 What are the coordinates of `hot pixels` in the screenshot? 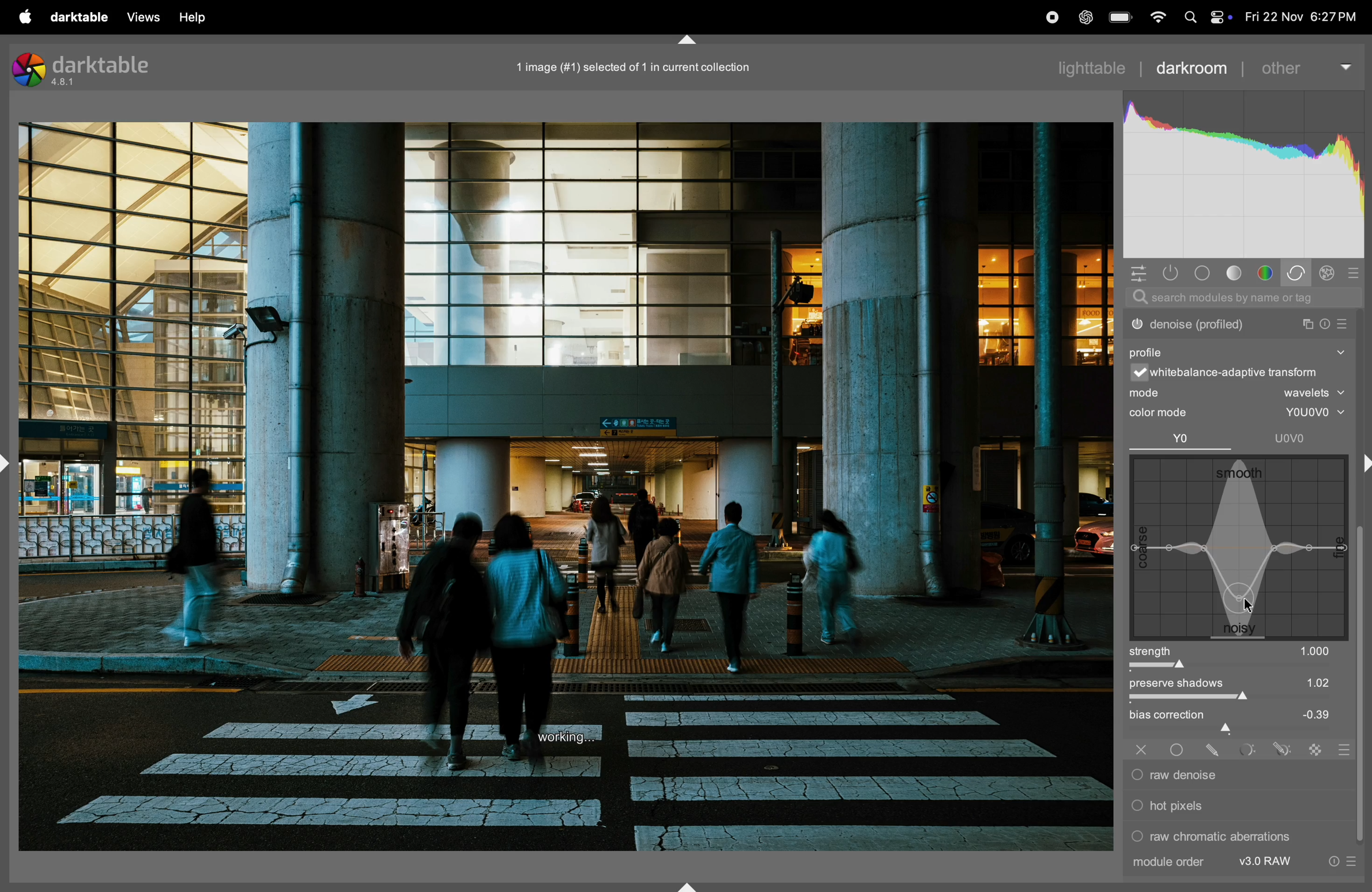 It's located at (1220, 806).